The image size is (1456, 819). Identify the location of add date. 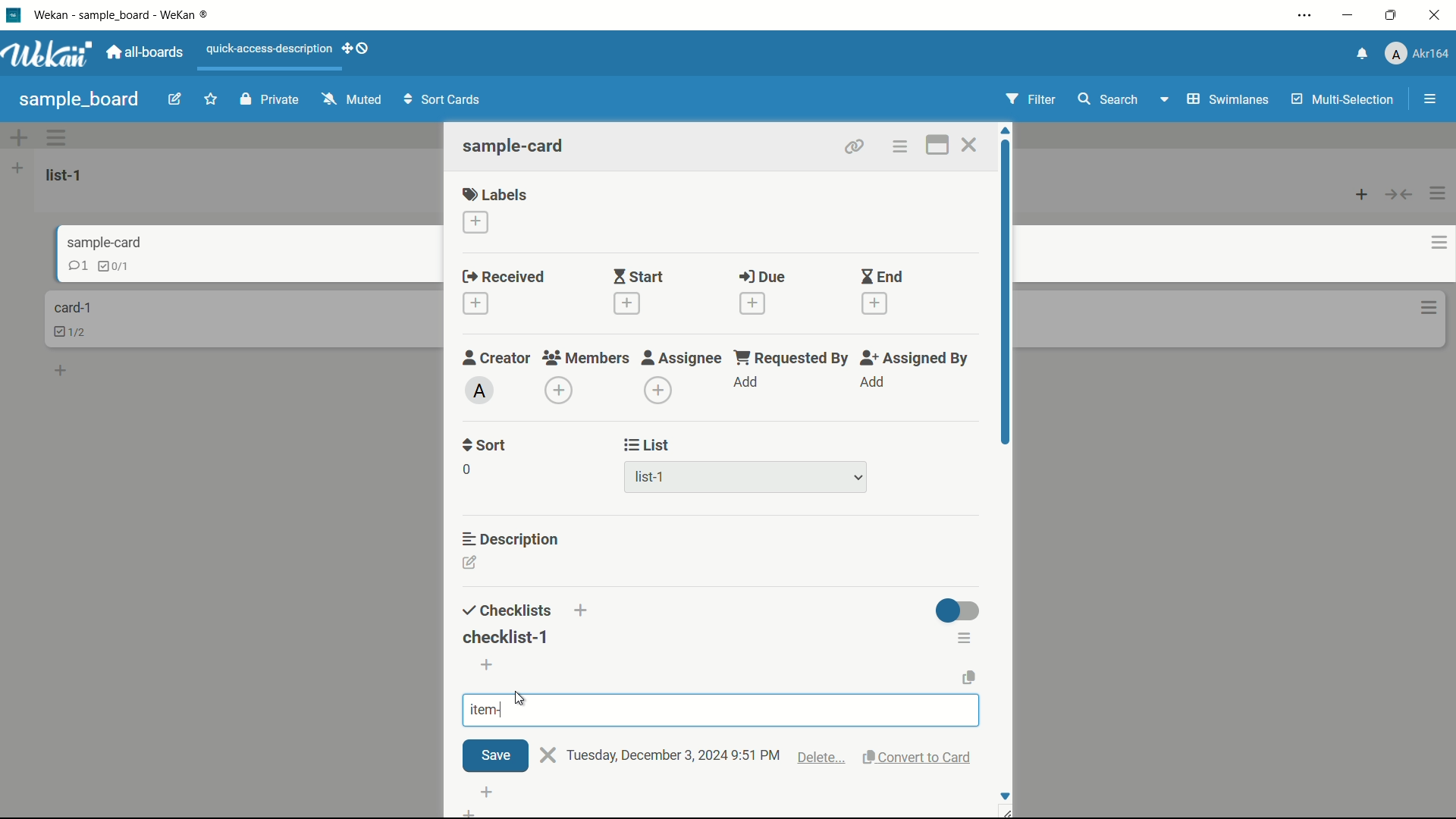
(754, 303).